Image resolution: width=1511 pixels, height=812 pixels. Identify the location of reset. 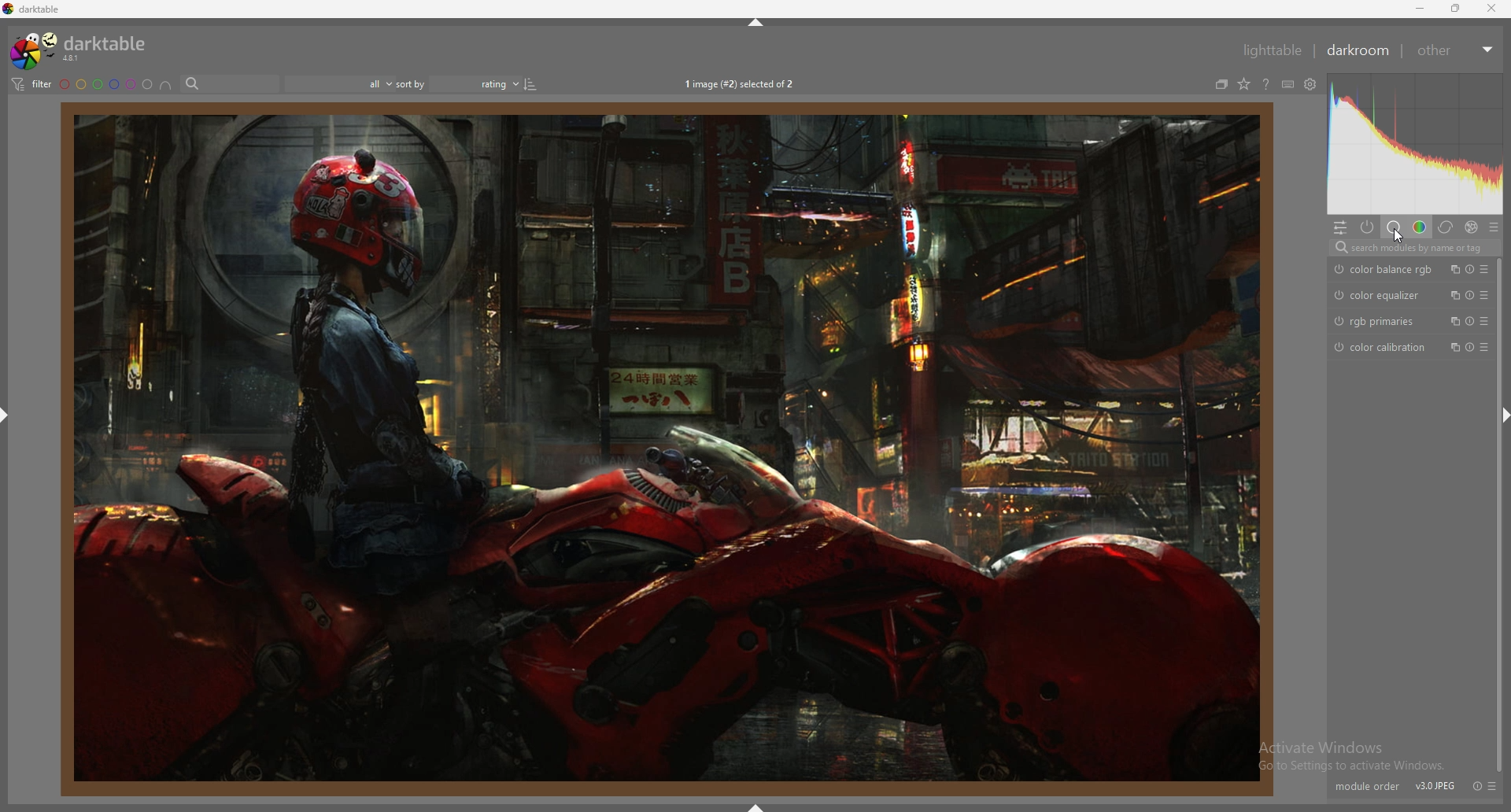
(1470, 322).